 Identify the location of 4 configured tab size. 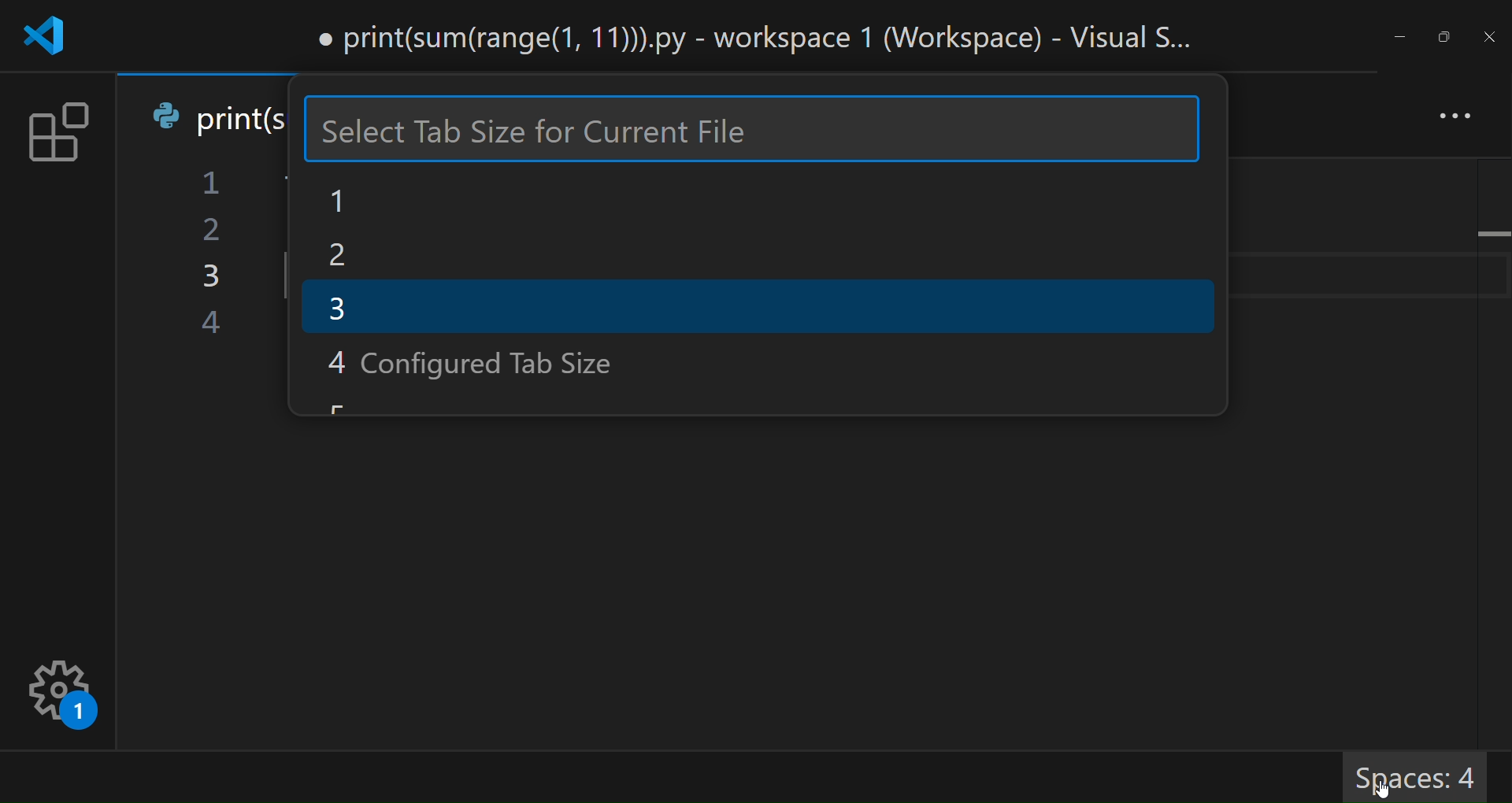
(495, 360).